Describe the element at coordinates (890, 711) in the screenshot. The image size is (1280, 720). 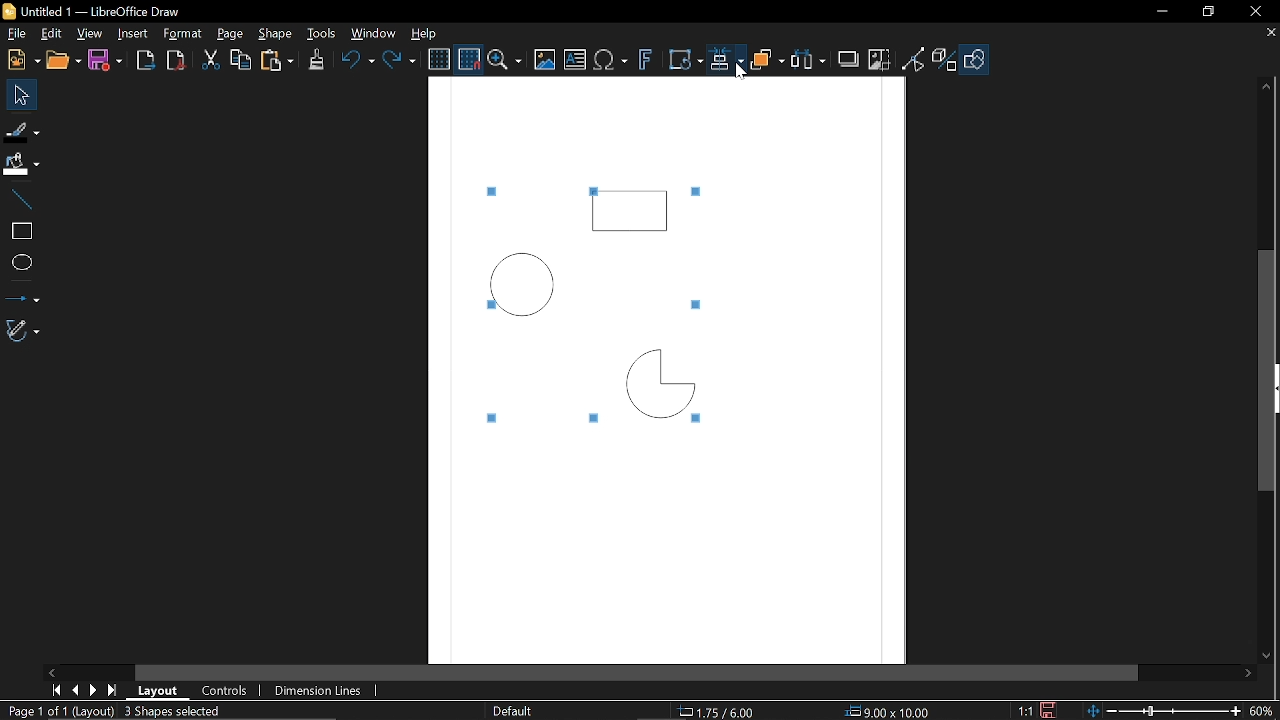
I see `9.00x10.00 (object Size)` at that location.